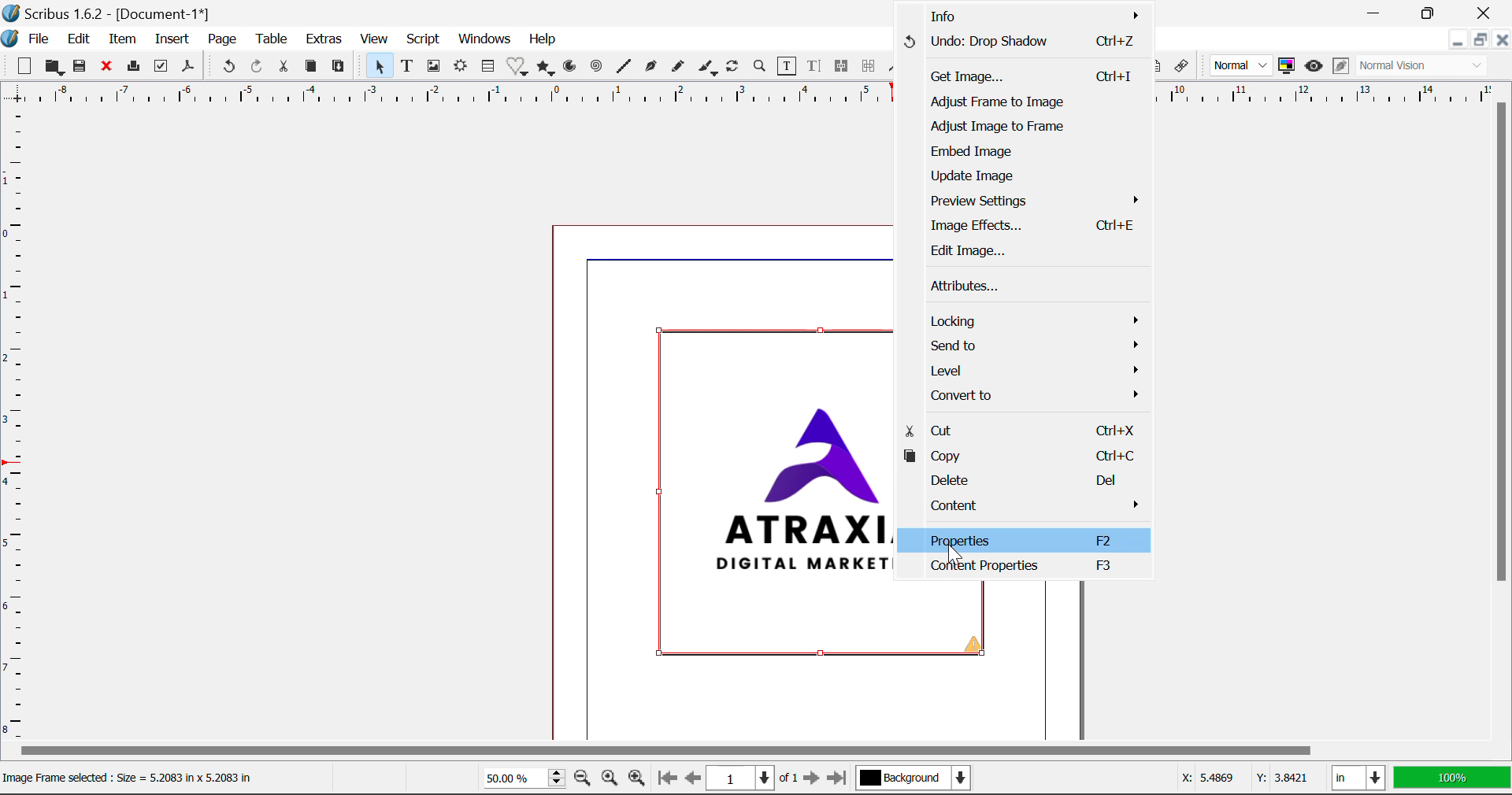  I want to click on Render Frame, so click(462, 68).